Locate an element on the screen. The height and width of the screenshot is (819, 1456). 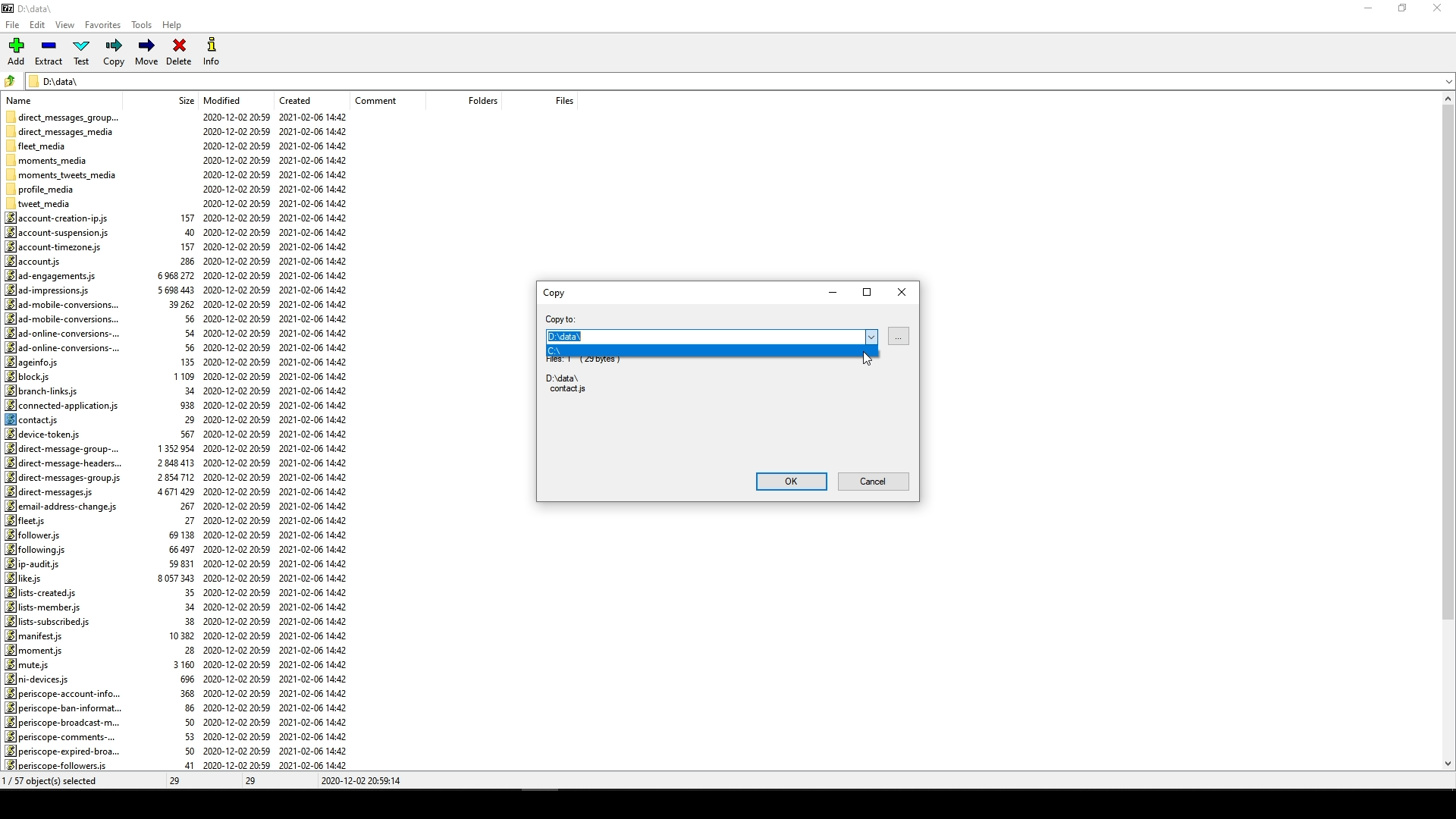
close is located at coordinates (1440, 9).